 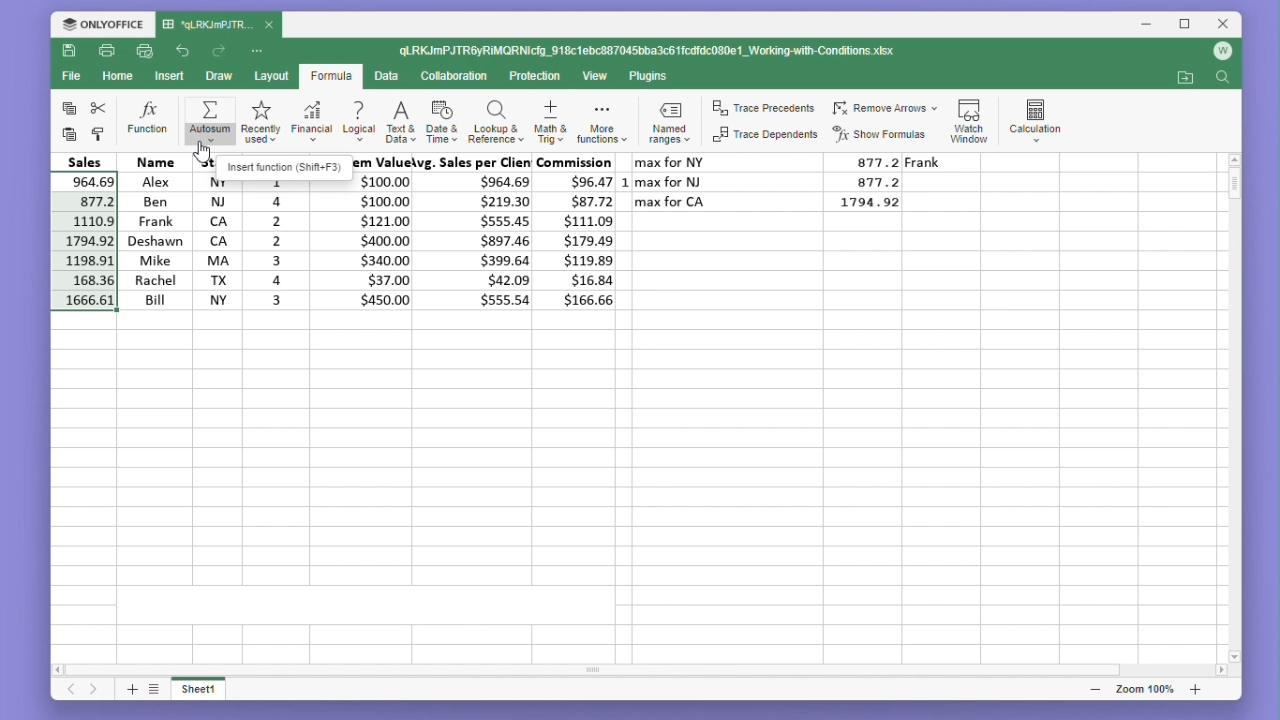 I want to click on View, so click(x=596, y=76).